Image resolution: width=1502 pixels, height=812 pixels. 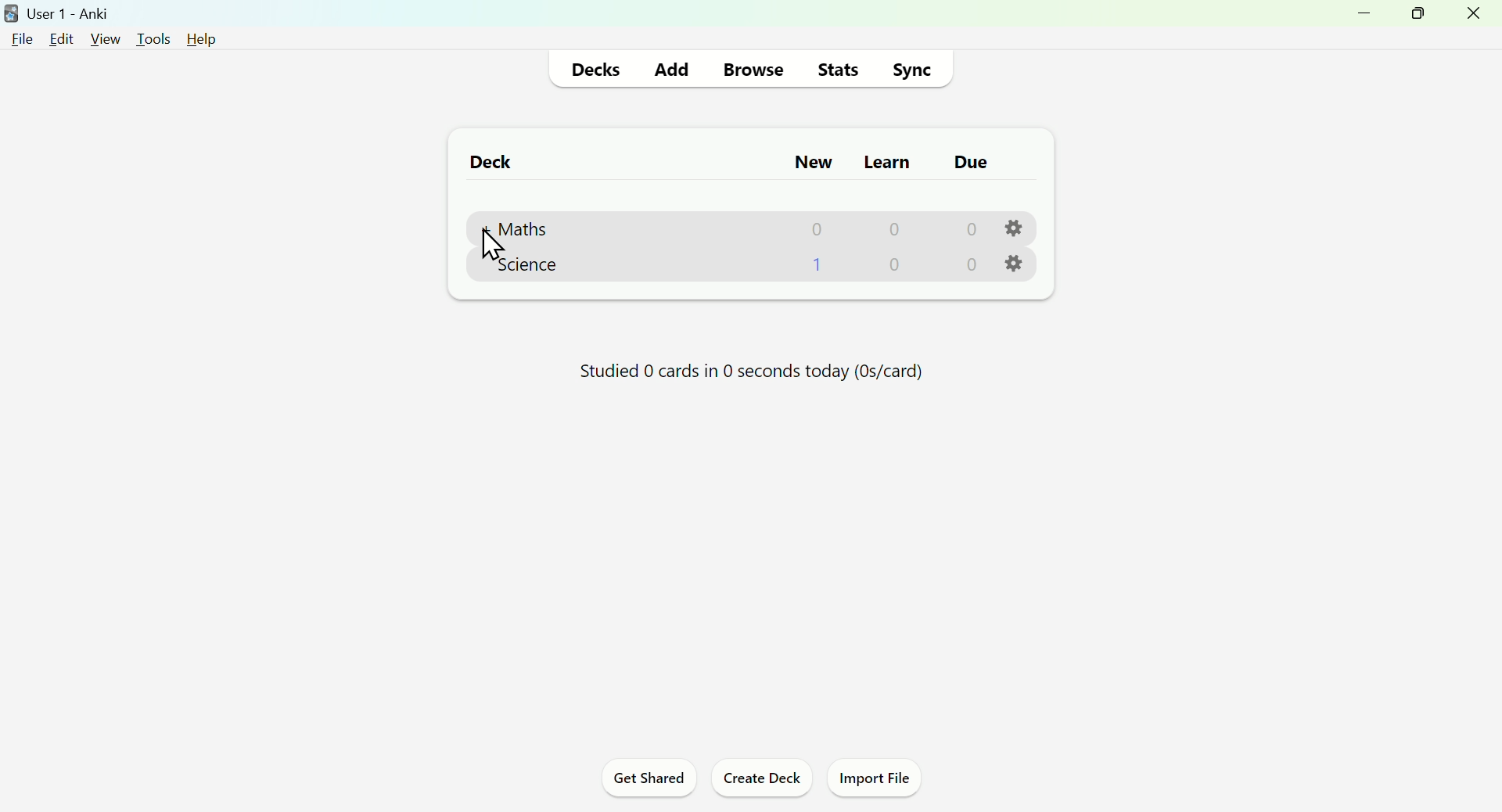 What do you see at coordinates (970, 228) in the screenshot?
I see `0` at bounding box center [970, 228].